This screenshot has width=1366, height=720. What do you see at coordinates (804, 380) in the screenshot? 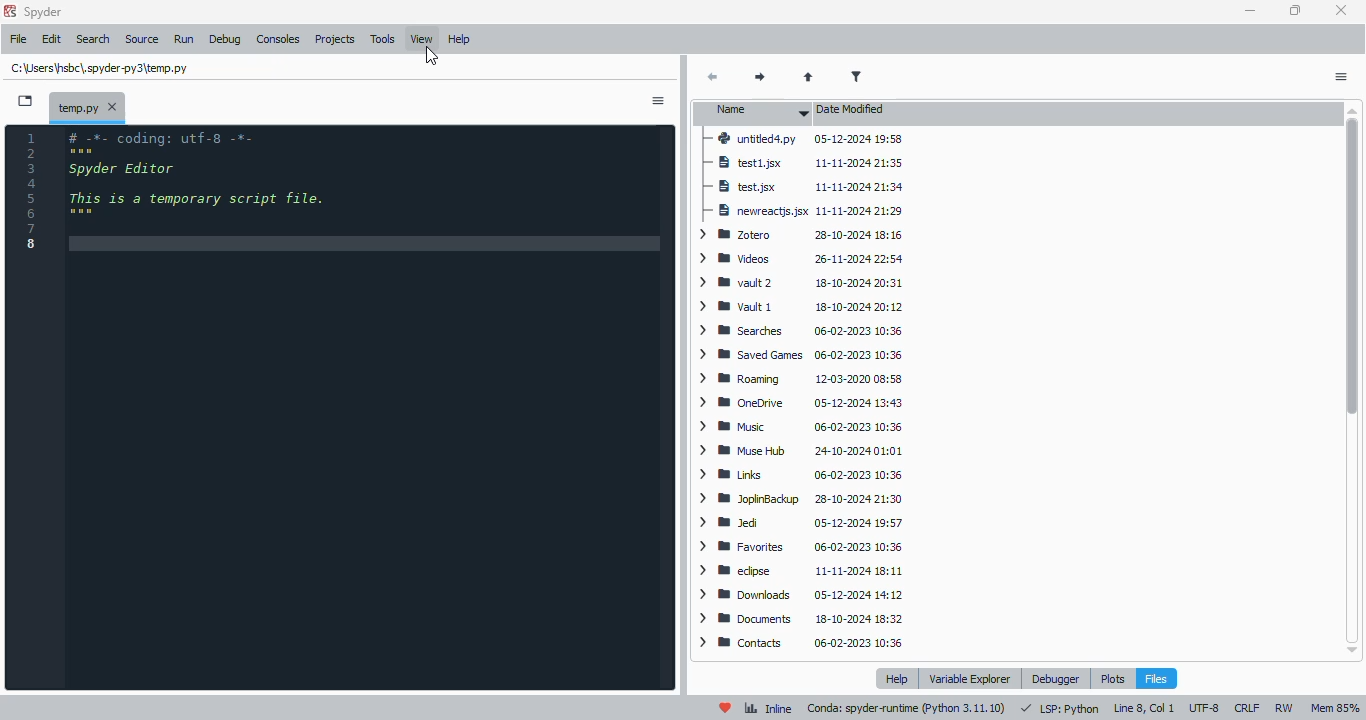
I see `Roaming` at bounding box center [804, 380].